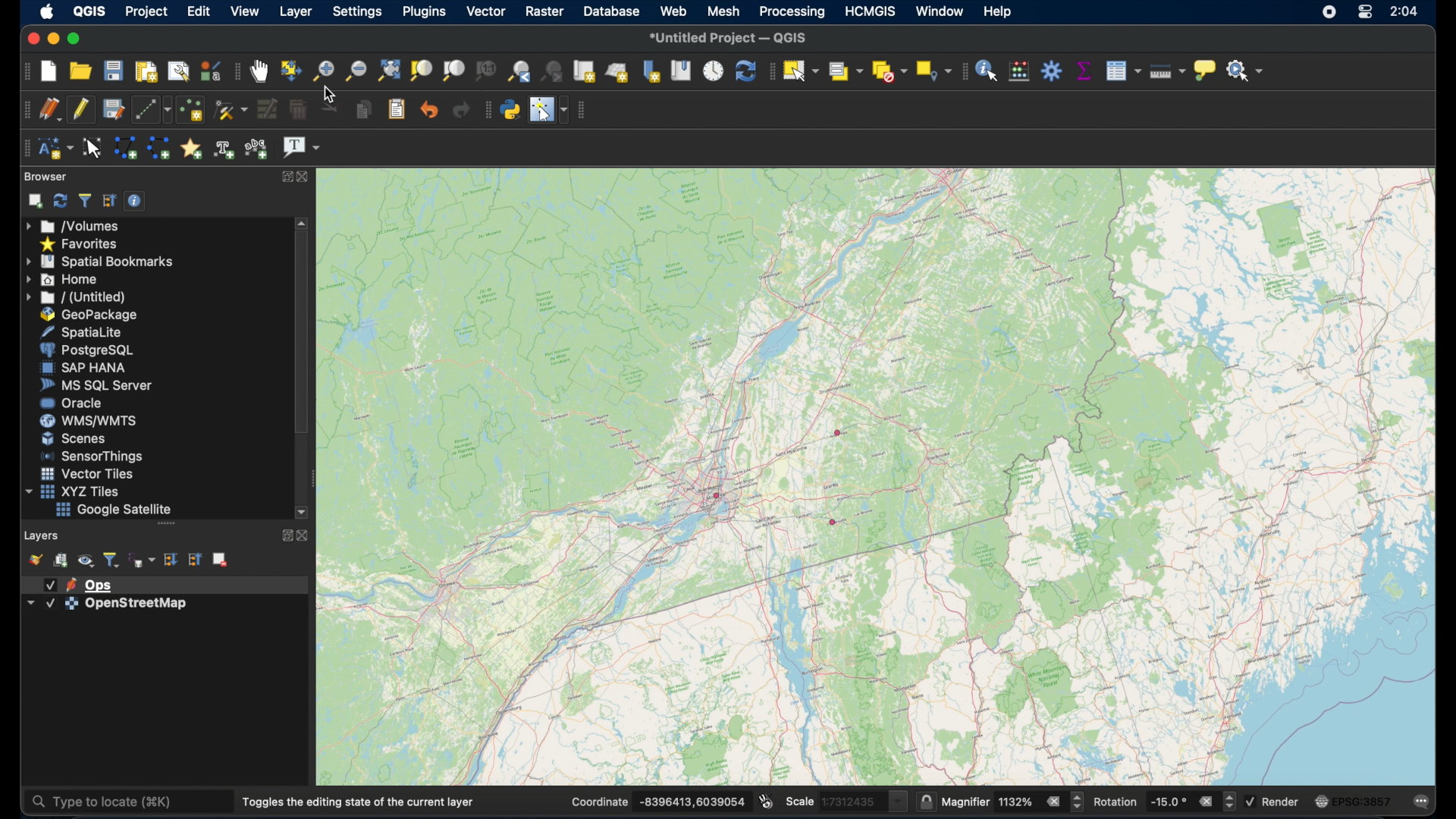 The width and height of the screenshot is (1456, 819). What do you see at coordinates (62, 199) in the screenshot?
I see `refresh` at bounding box center [62, 199].